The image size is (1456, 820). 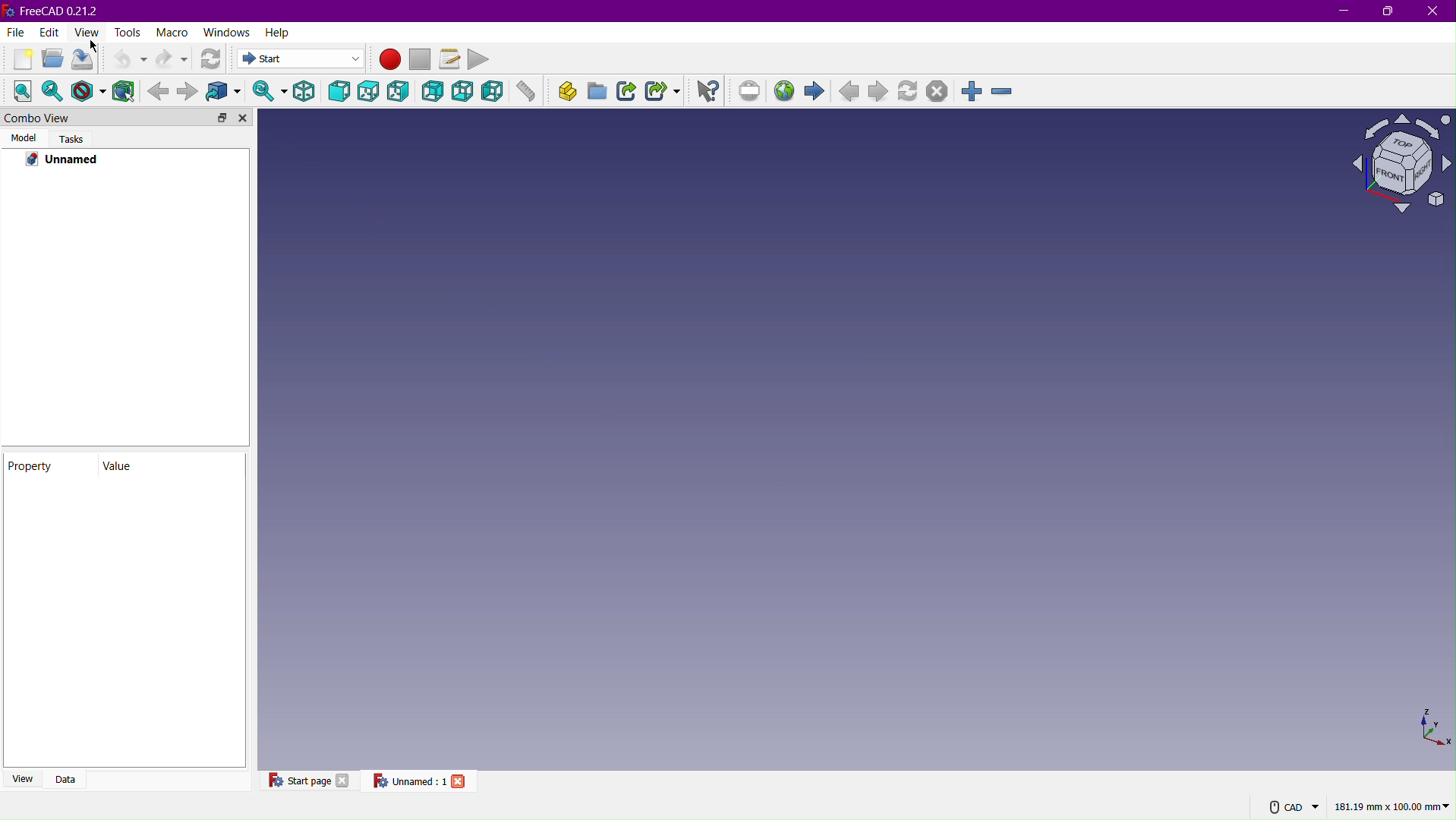 What do you see at coordinates (77, 140) in the screenshot?
I see `Tasks` at bounding box center [77, 140].